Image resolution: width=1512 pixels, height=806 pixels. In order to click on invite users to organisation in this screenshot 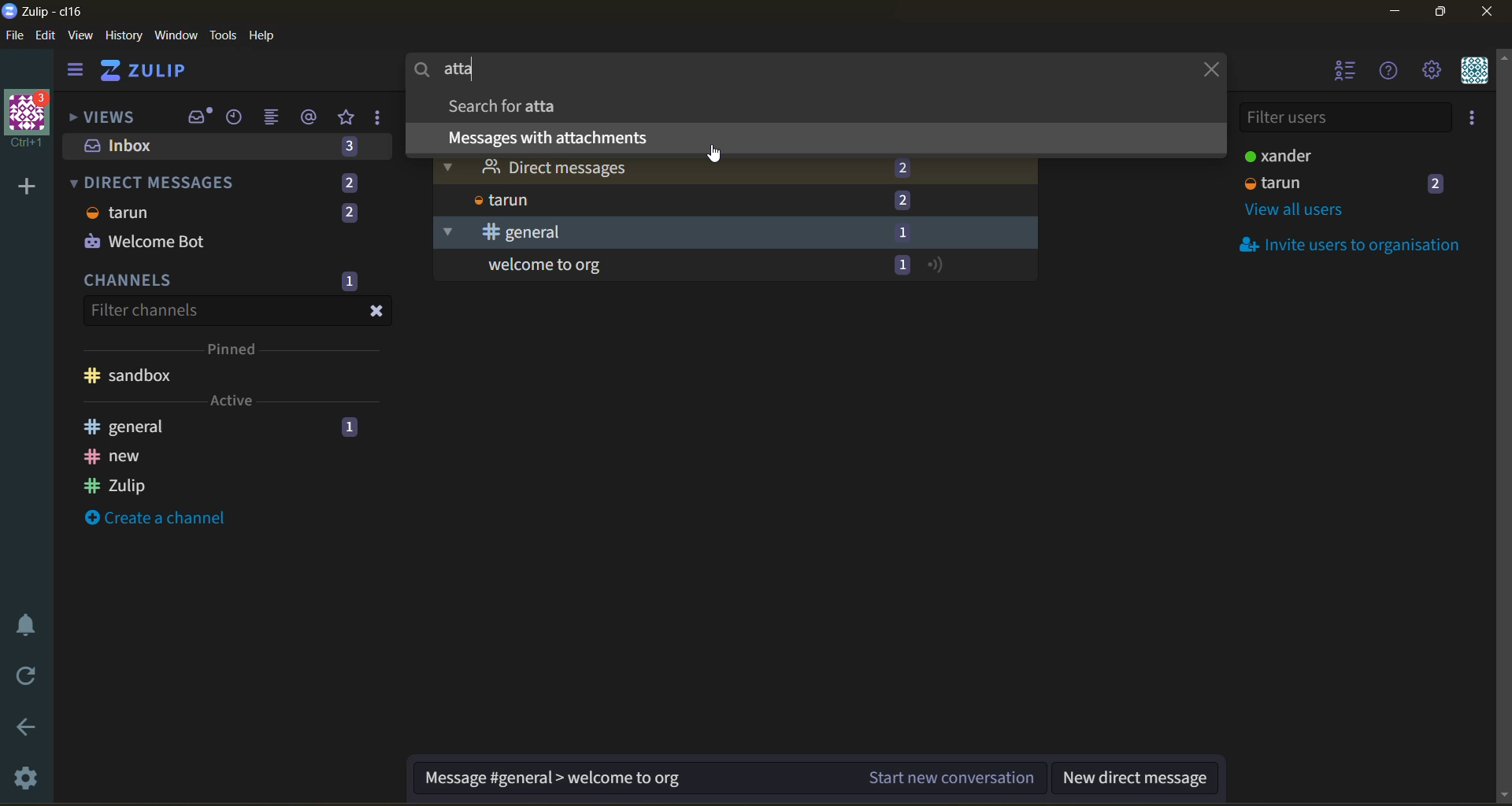, I will do `click(1343, 243)`.